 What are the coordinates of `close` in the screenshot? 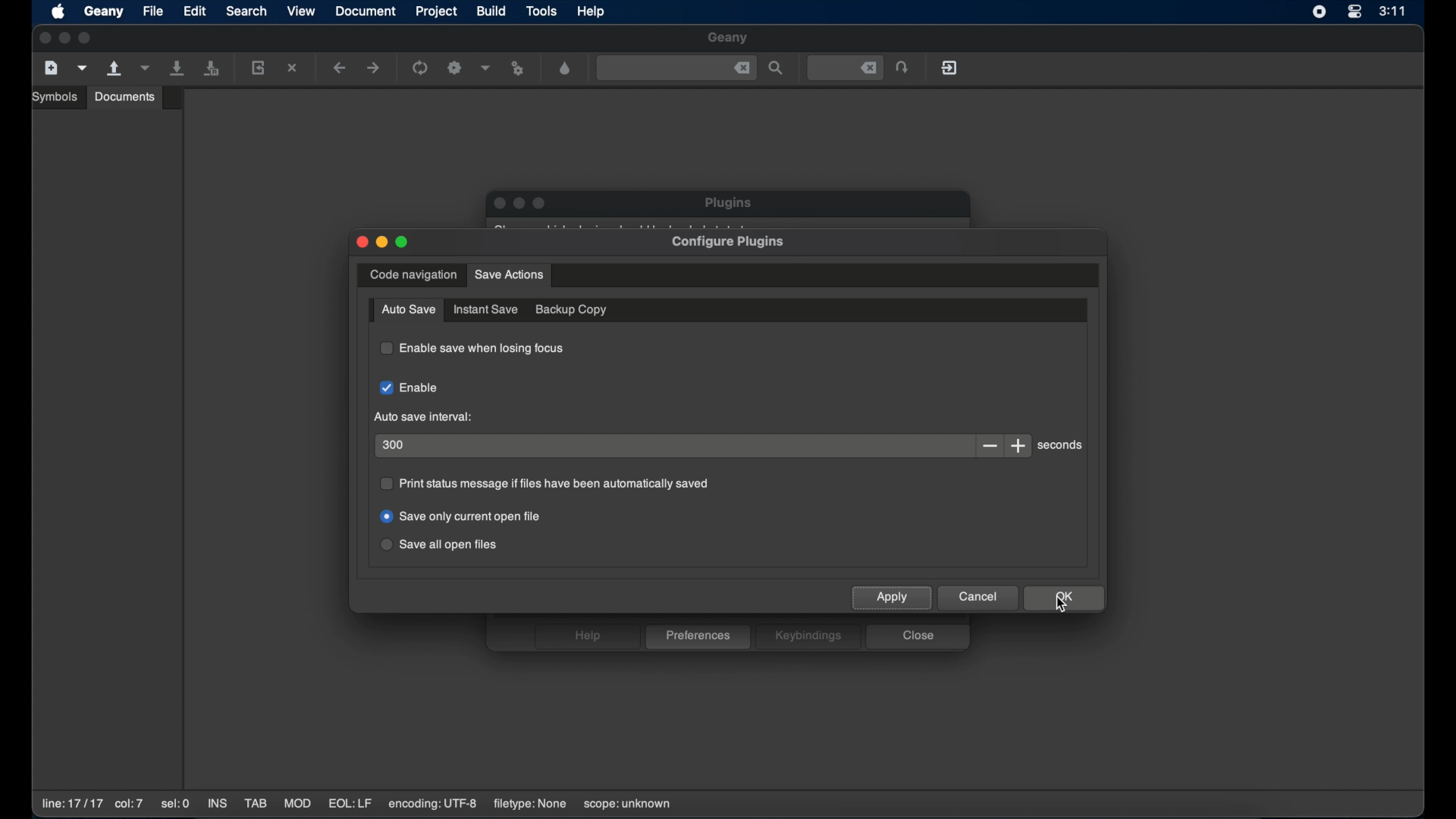 It's located at (361, 243).